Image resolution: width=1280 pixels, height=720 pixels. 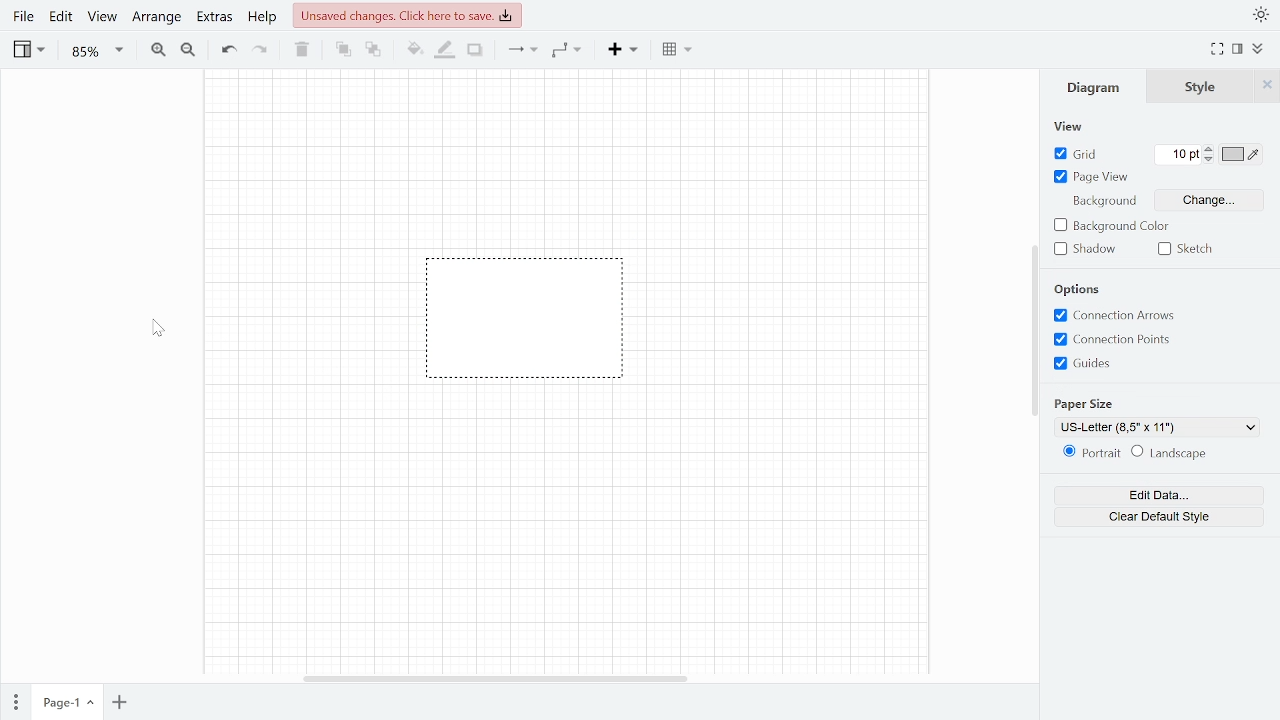 What do you see at coordinates (66, 703) in the screenshot?
I see `Current page (page 1)` at bounding box center [66, 703].